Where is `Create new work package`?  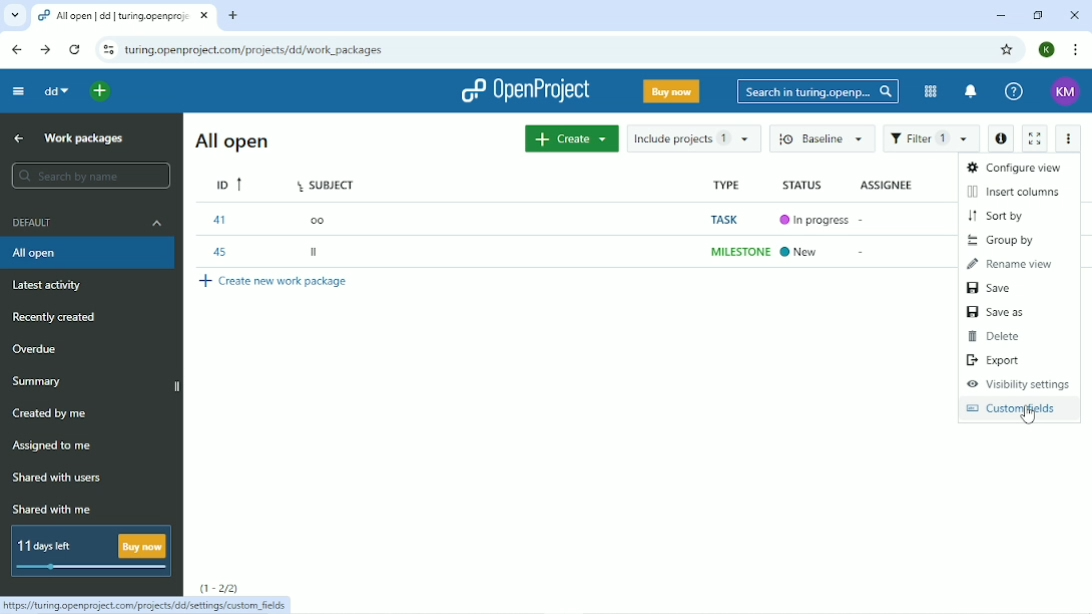 Create new work package is located at coordinates (278, 281).